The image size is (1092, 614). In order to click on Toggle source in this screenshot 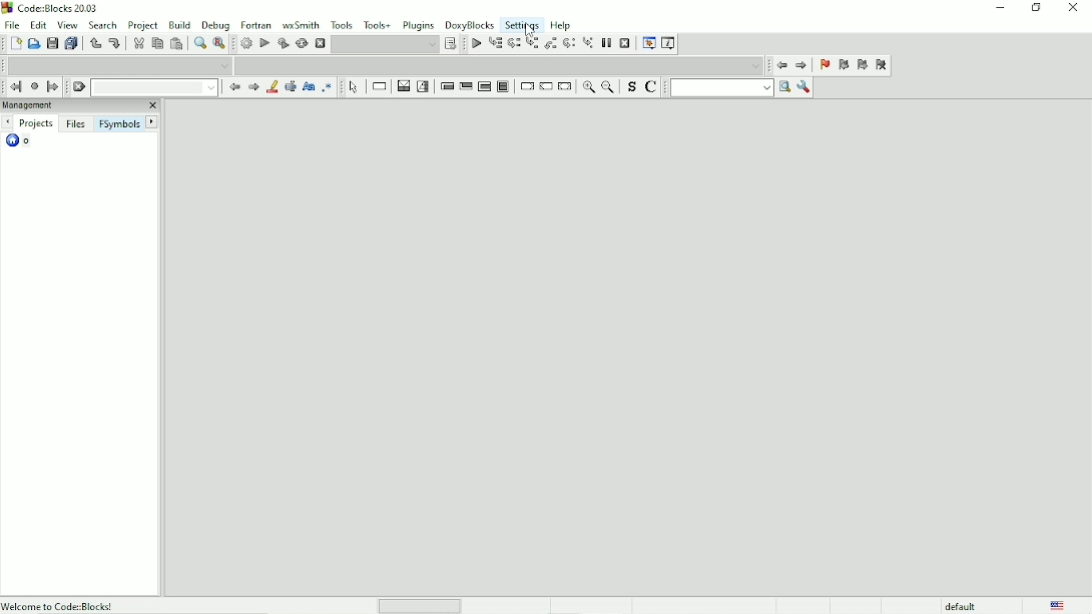, I will do `click(630, 89)`.